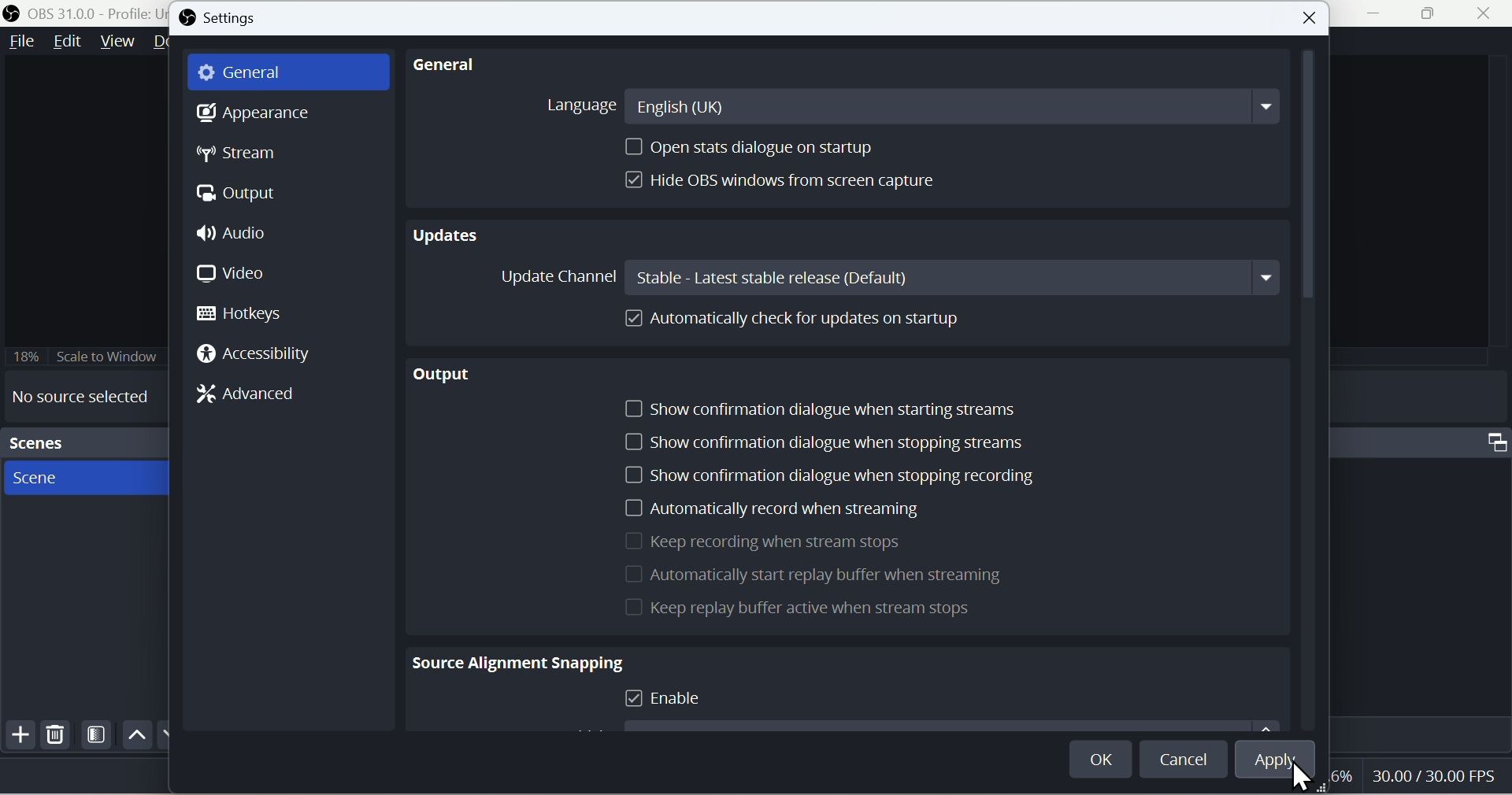  I want to click on 18% Scale to Window, so click(112, 355).